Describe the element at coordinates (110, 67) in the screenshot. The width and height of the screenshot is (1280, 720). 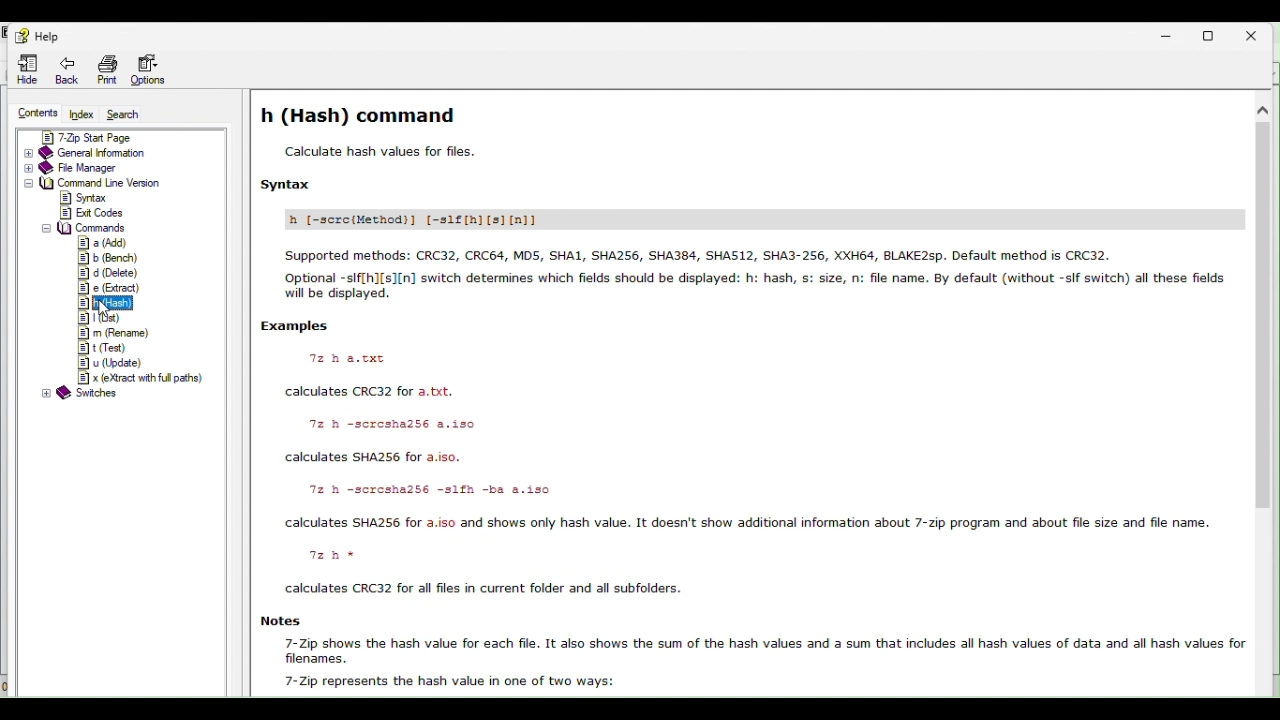
I see `print` at that location.